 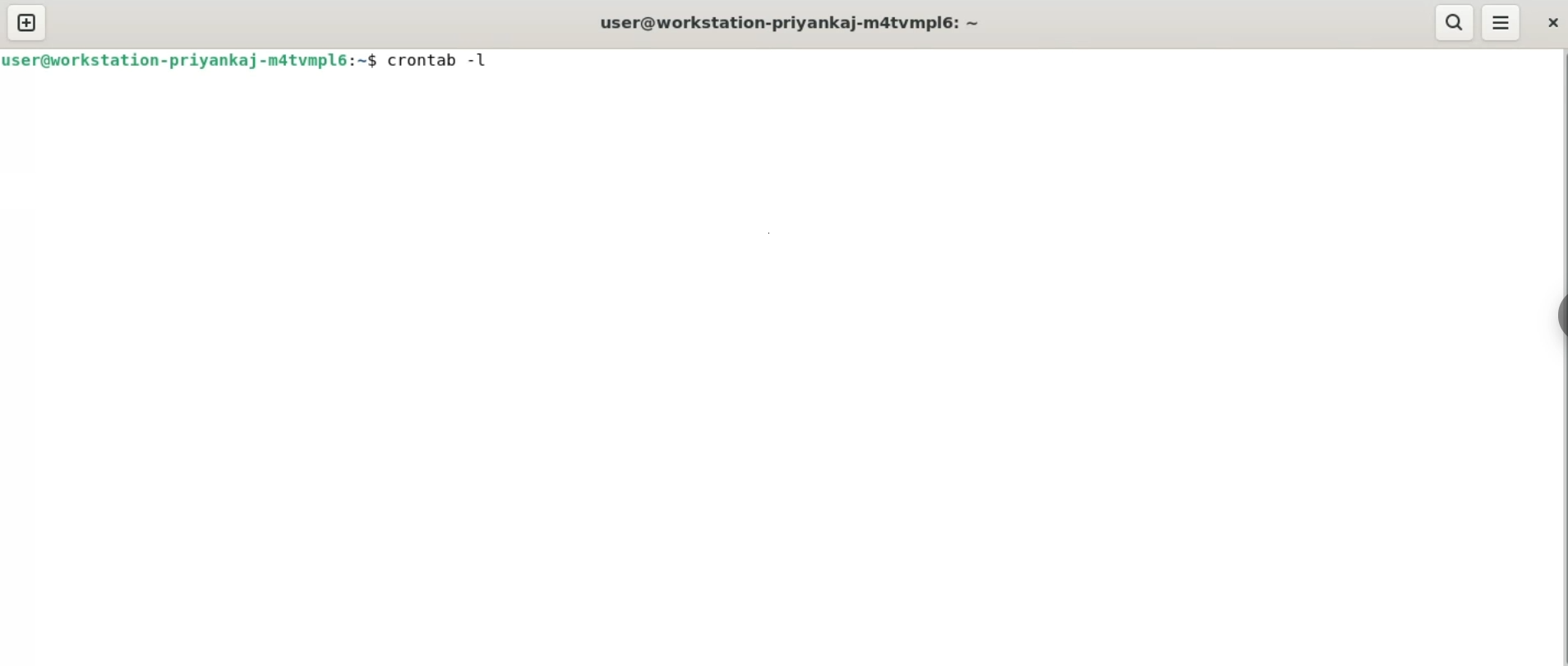 What do you see at coordinates (193, 61) in the screenshot?
I see `user@workstation-priyankaj-m4tvmpl6:~$` at bounding box center [193, 61].